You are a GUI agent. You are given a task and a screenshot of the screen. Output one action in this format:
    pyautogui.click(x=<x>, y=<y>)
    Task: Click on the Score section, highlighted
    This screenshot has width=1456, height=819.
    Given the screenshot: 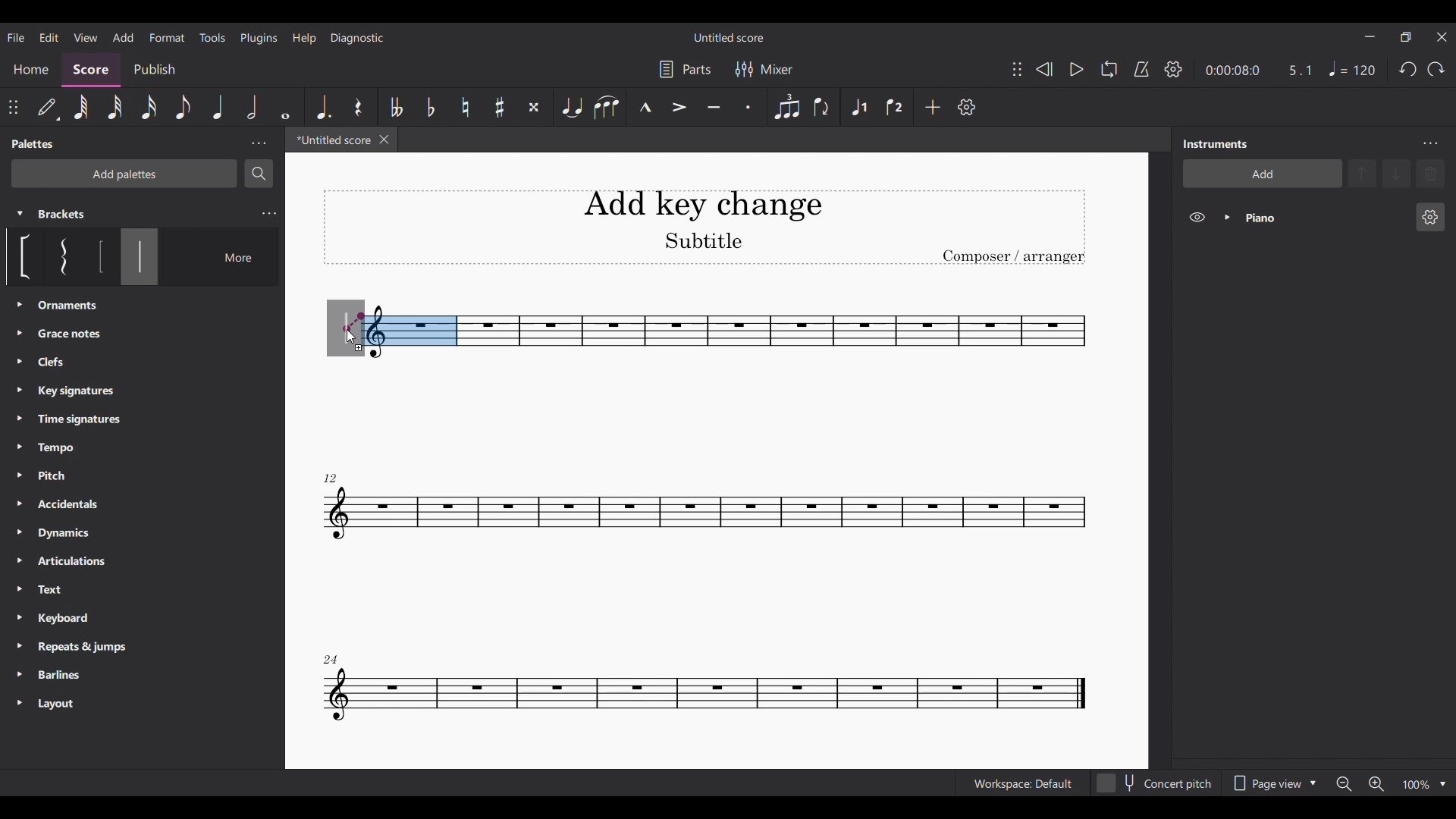 What is the action you would take?
    pyautogui.click(x=90, y=70)
    